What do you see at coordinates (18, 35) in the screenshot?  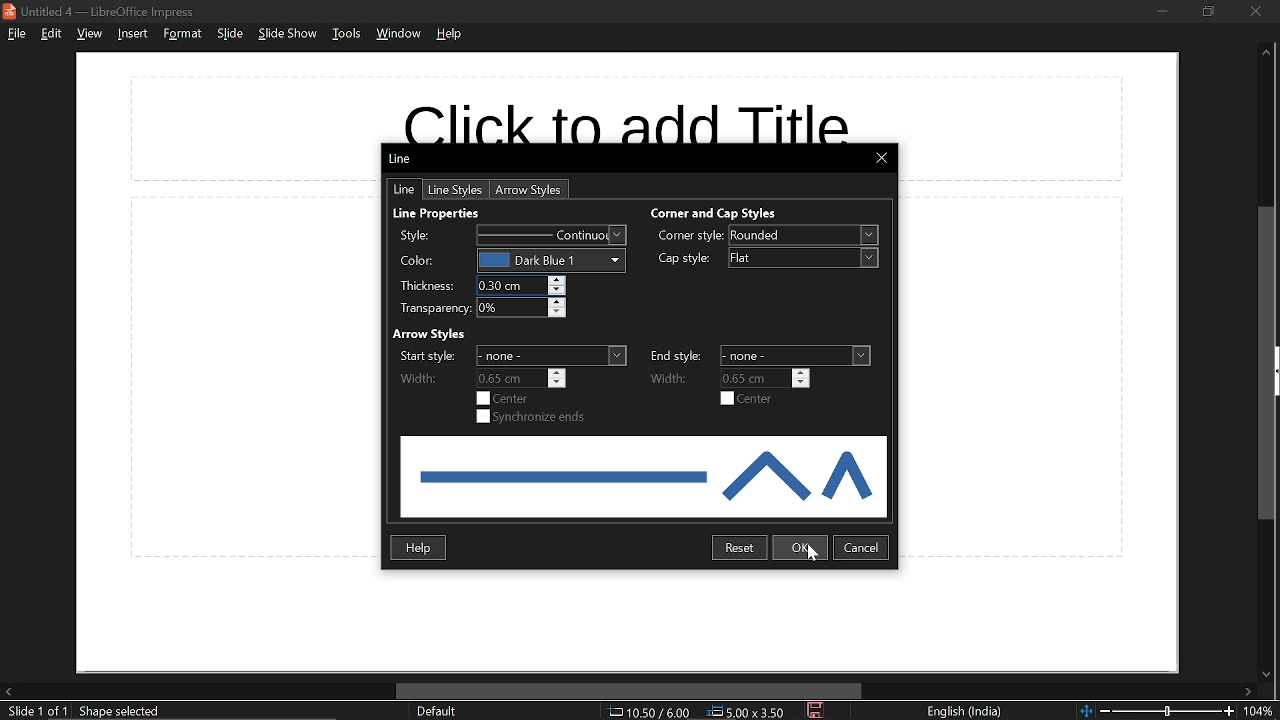 I see `file` at bounding box center [18, 35].